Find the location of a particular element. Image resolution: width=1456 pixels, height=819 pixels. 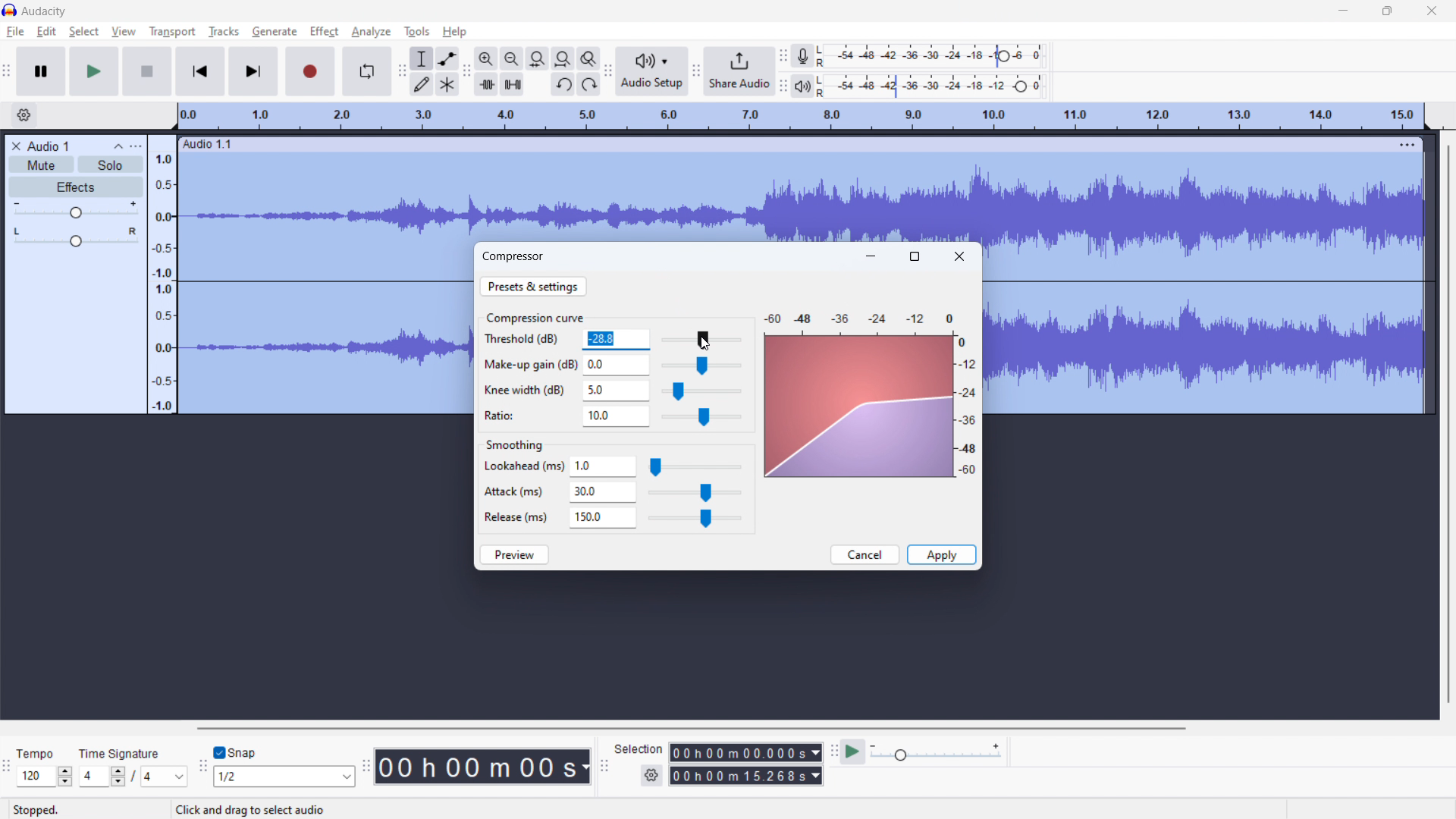

00h00m00.000s (start time) is located at coordinates (745, 748).